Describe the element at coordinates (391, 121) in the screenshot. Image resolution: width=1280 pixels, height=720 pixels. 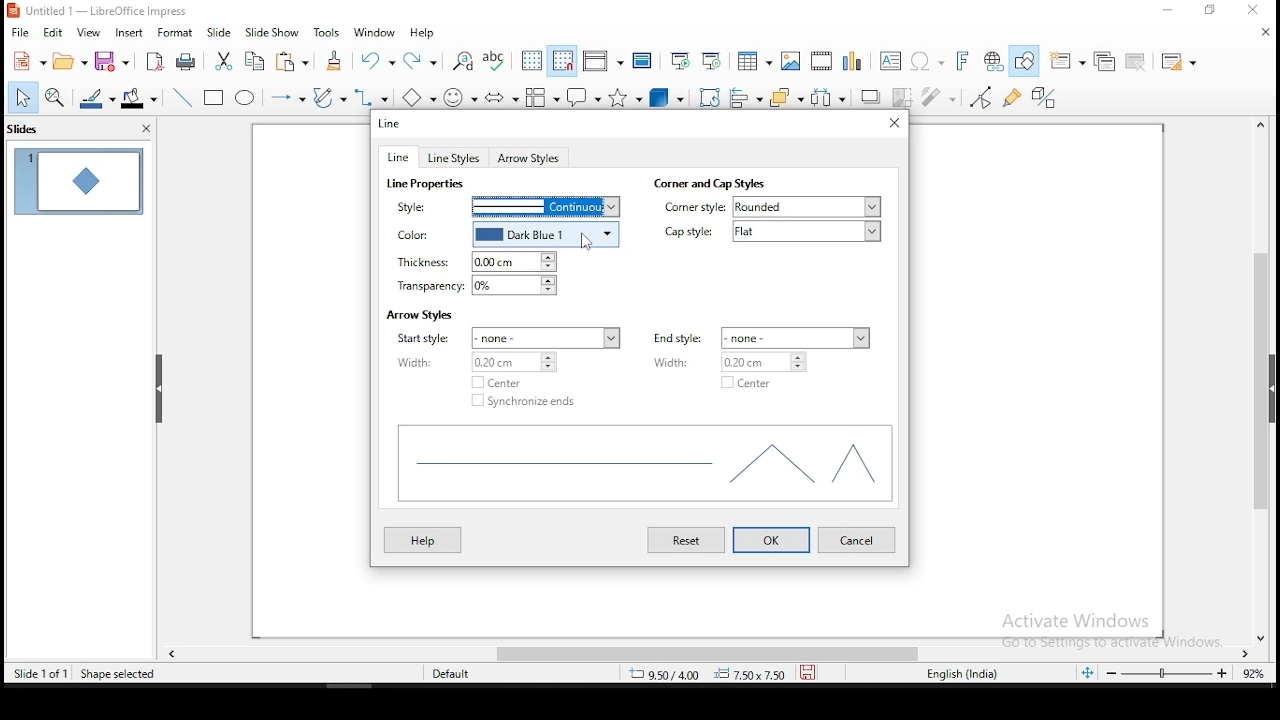
I see `line` at that location.